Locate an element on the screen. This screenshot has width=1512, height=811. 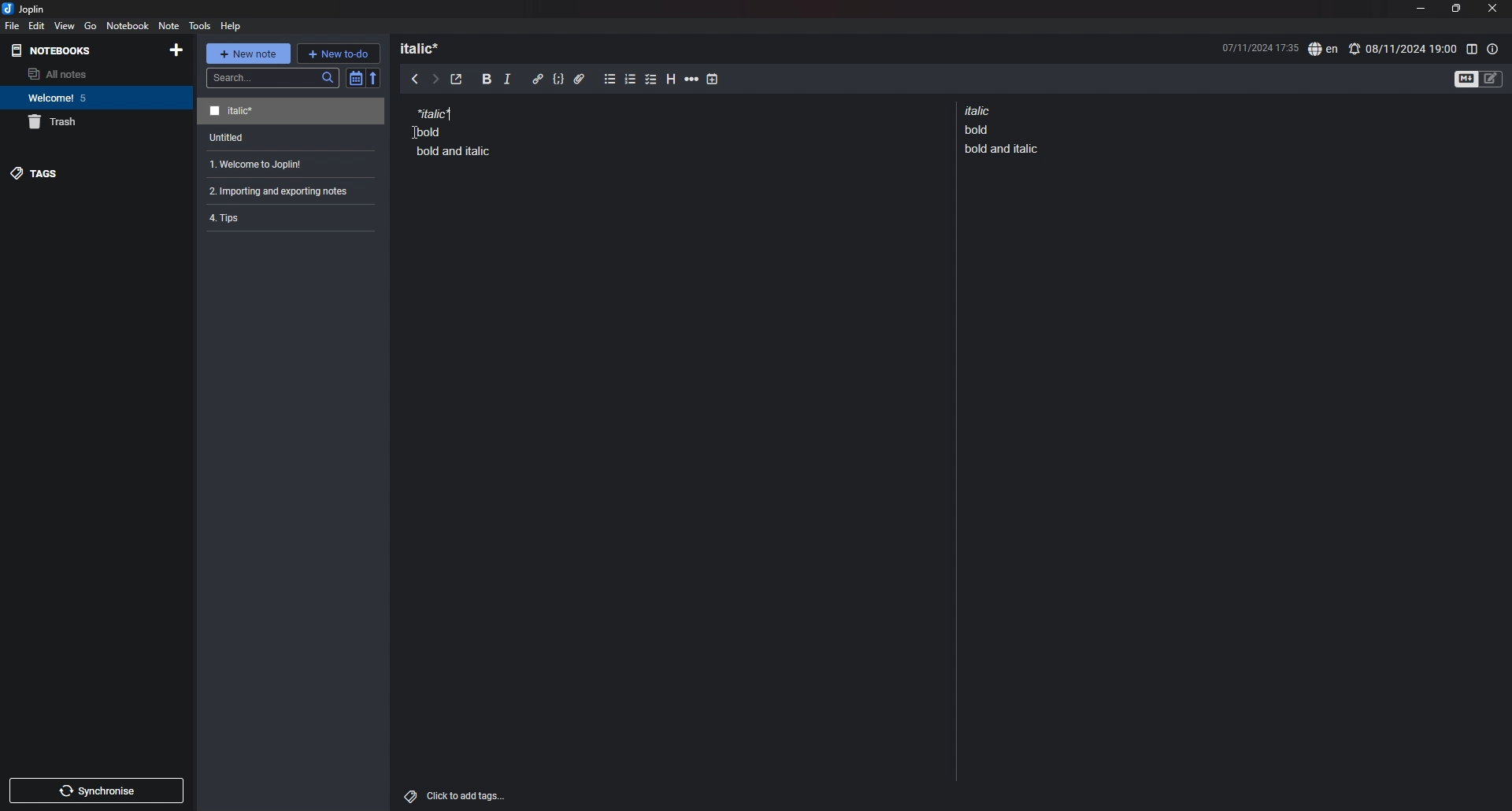
sync is located at coordinates (98, 791).